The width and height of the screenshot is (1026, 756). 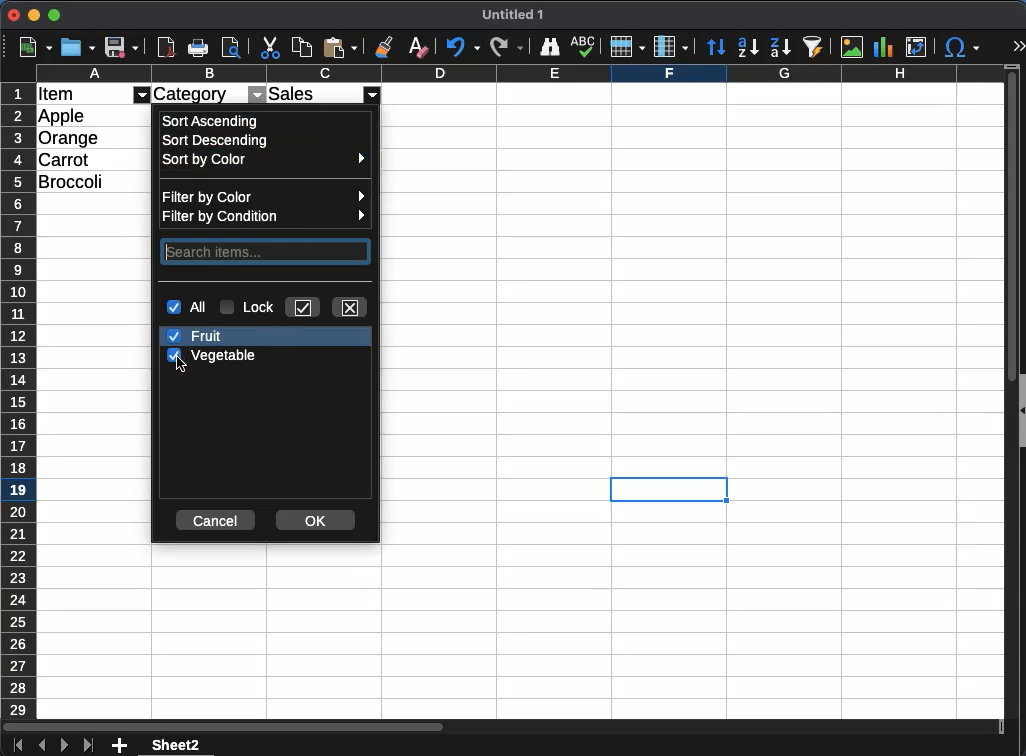 I want to click on finder, so click(x=550, y=47).